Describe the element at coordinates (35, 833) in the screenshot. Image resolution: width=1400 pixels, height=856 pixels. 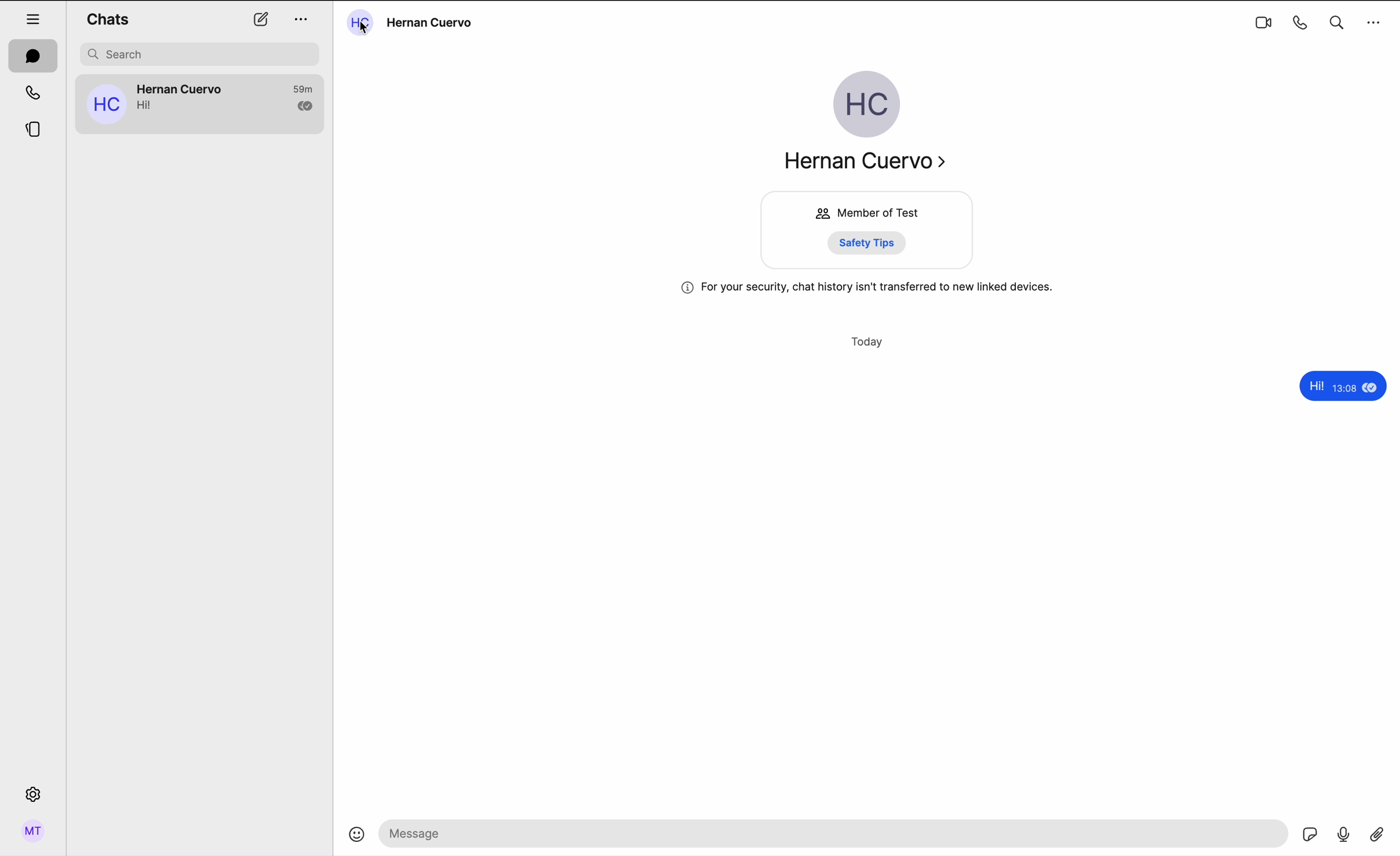
I see `profile` at that location.